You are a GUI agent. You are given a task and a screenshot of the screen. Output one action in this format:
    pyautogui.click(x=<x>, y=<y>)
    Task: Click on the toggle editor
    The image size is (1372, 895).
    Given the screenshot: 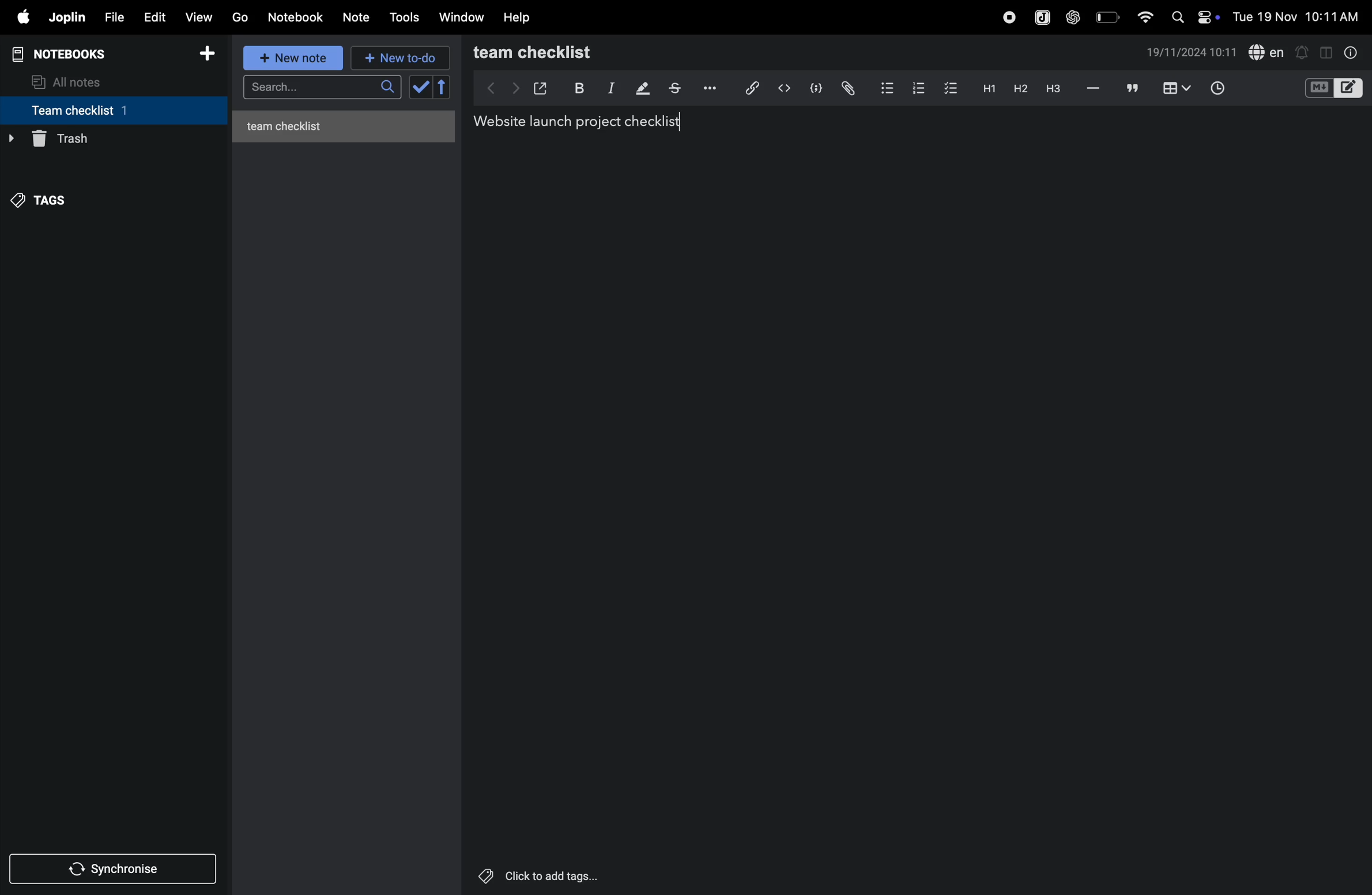 What is the action you would take?
    pyautogui.click(x=1322, y=52)
    